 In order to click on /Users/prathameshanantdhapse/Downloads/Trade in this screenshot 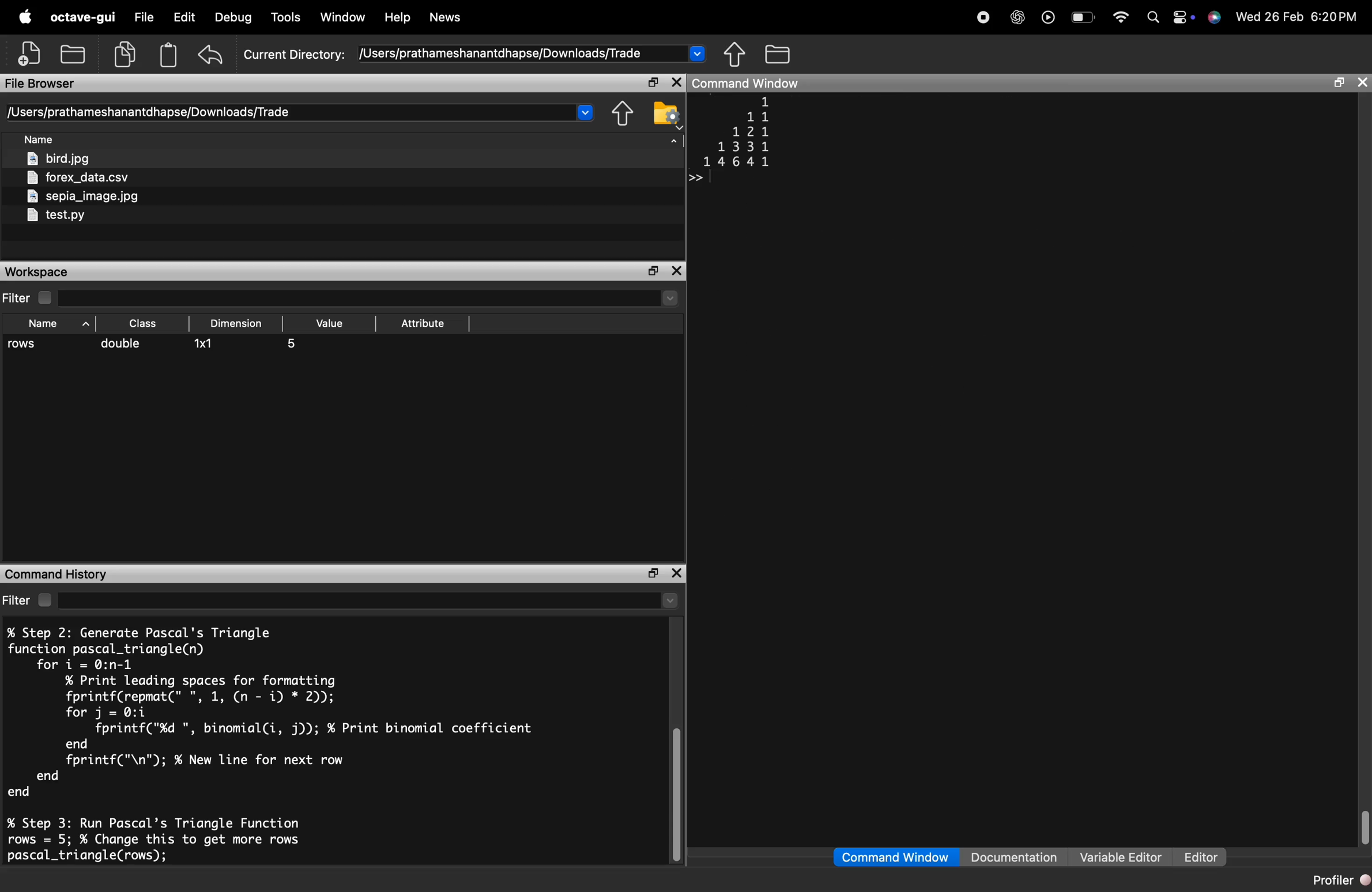, I will do `click(499, 54)`.